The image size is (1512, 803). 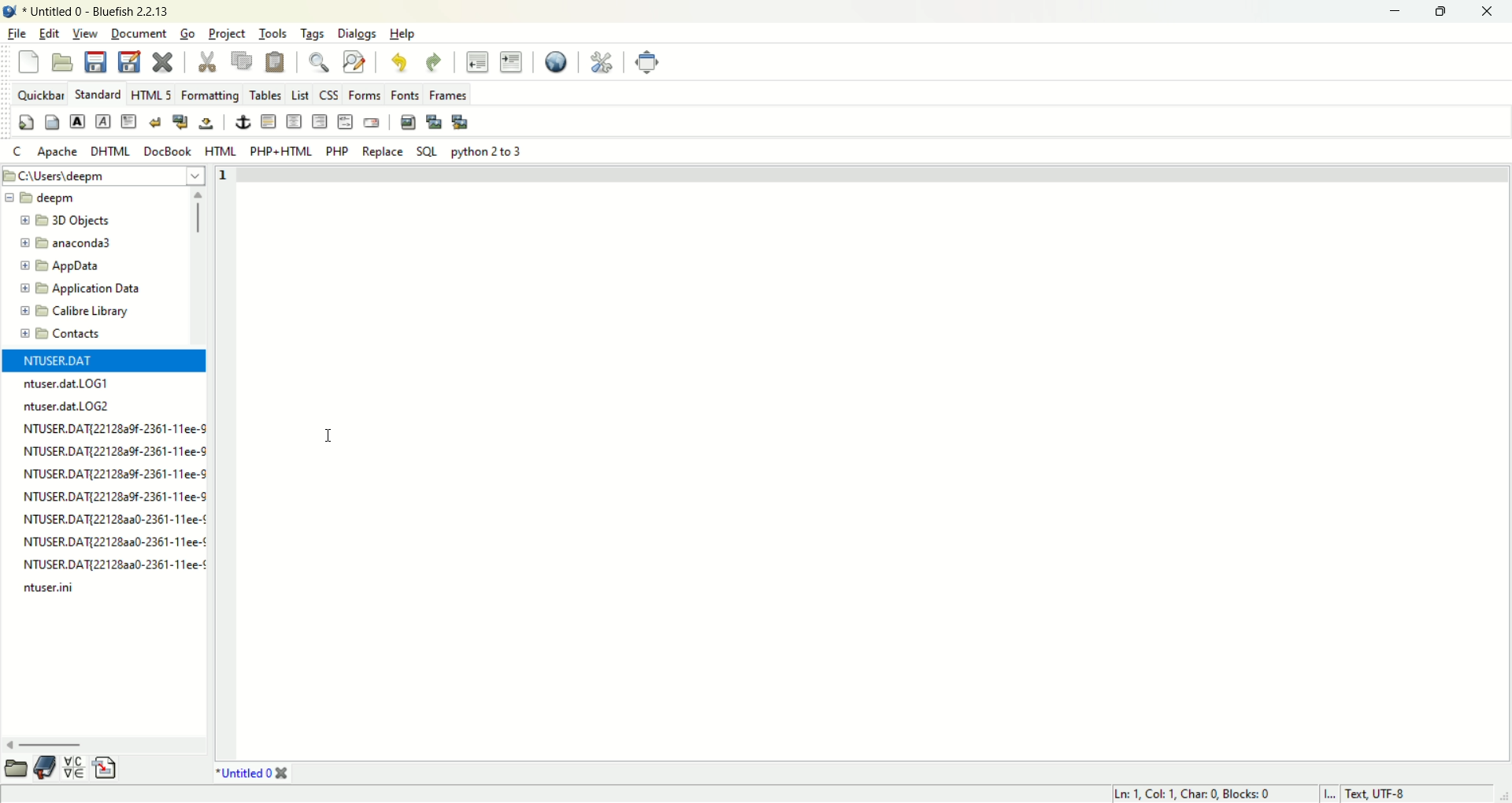 I want to click on email , so click(x=375, y=121).